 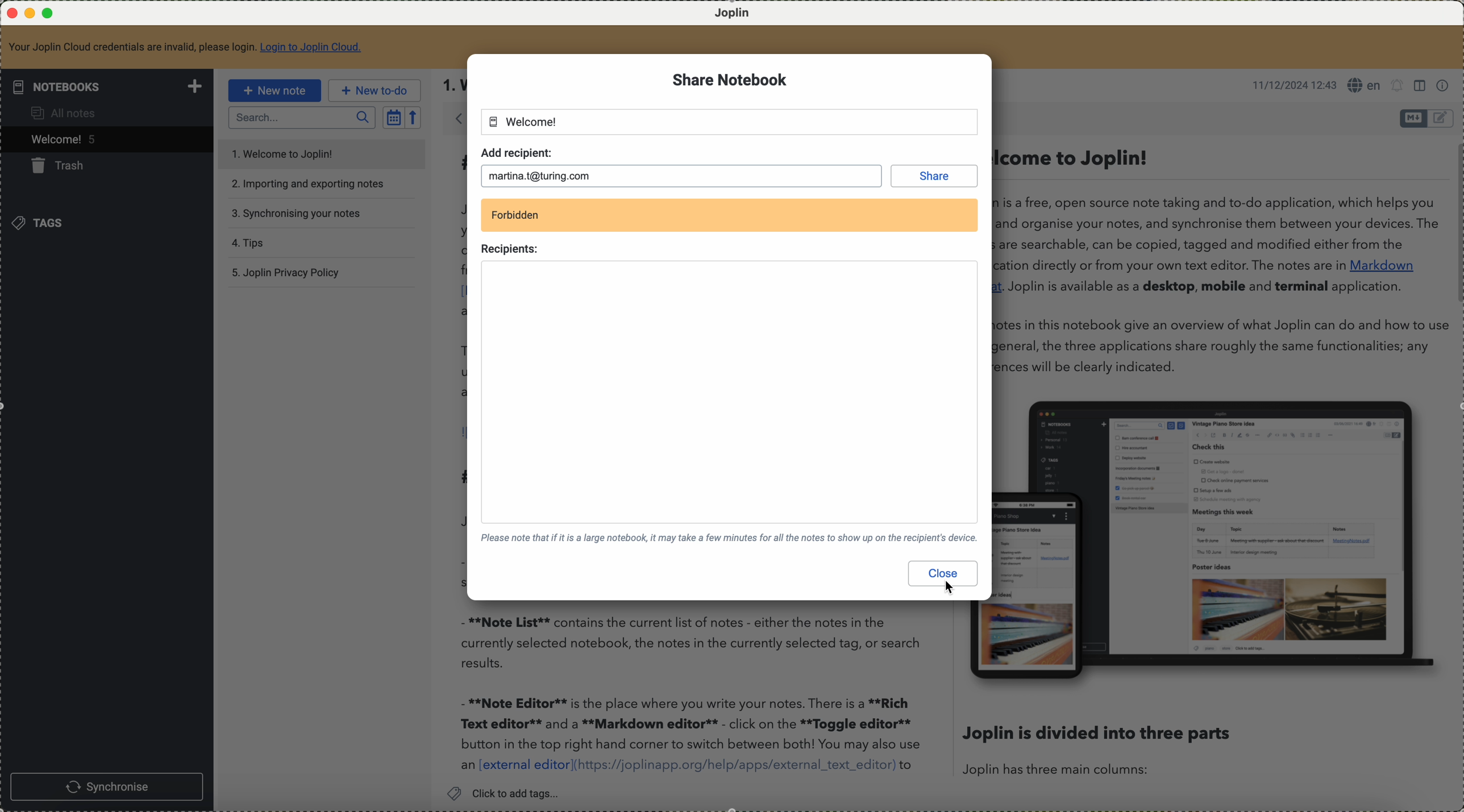 What do you see at coordinates (301, 118) in the screenshot?
I see `search bar` at bounding box center [301, 118].